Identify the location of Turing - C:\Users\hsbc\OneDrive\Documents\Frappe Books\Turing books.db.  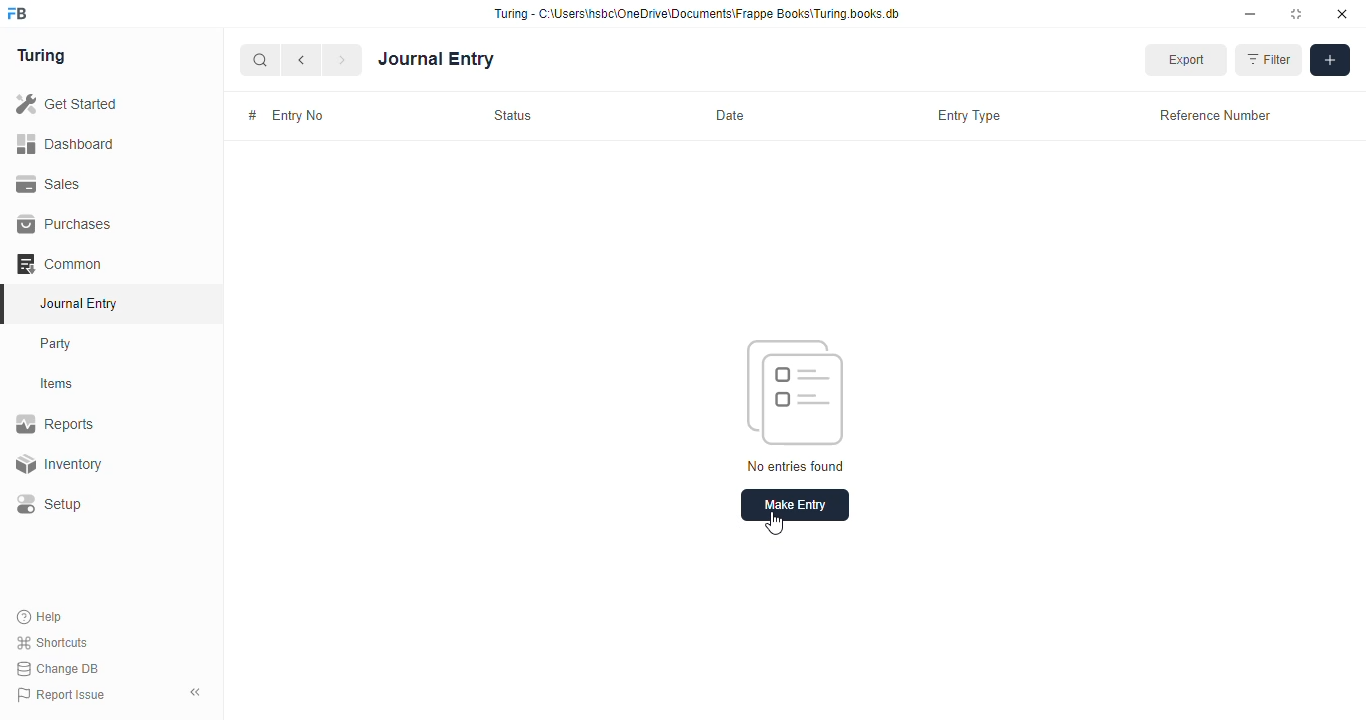
(696, 14).